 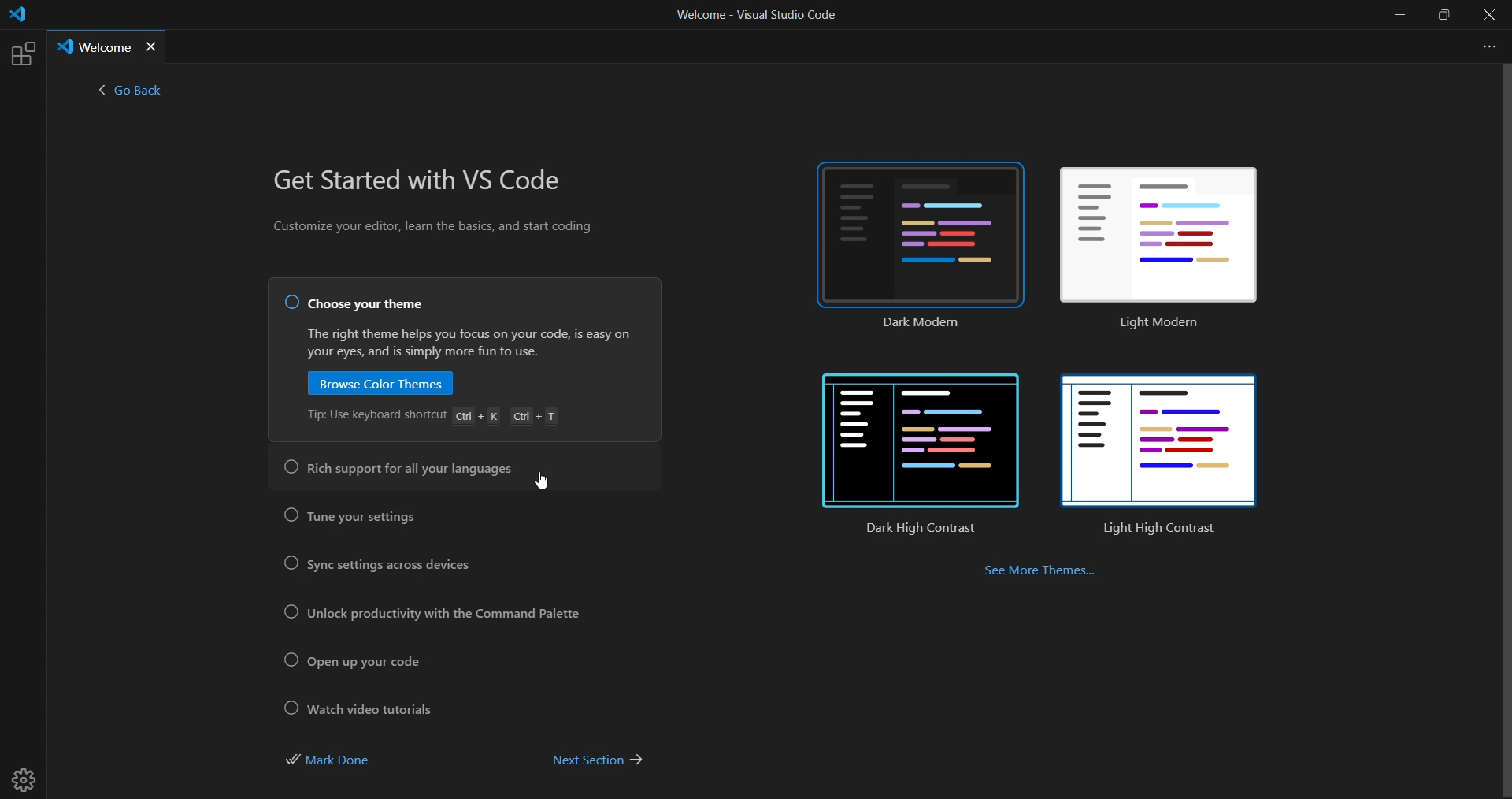 I want to click on Light modern, so click(x=1164, y=323).